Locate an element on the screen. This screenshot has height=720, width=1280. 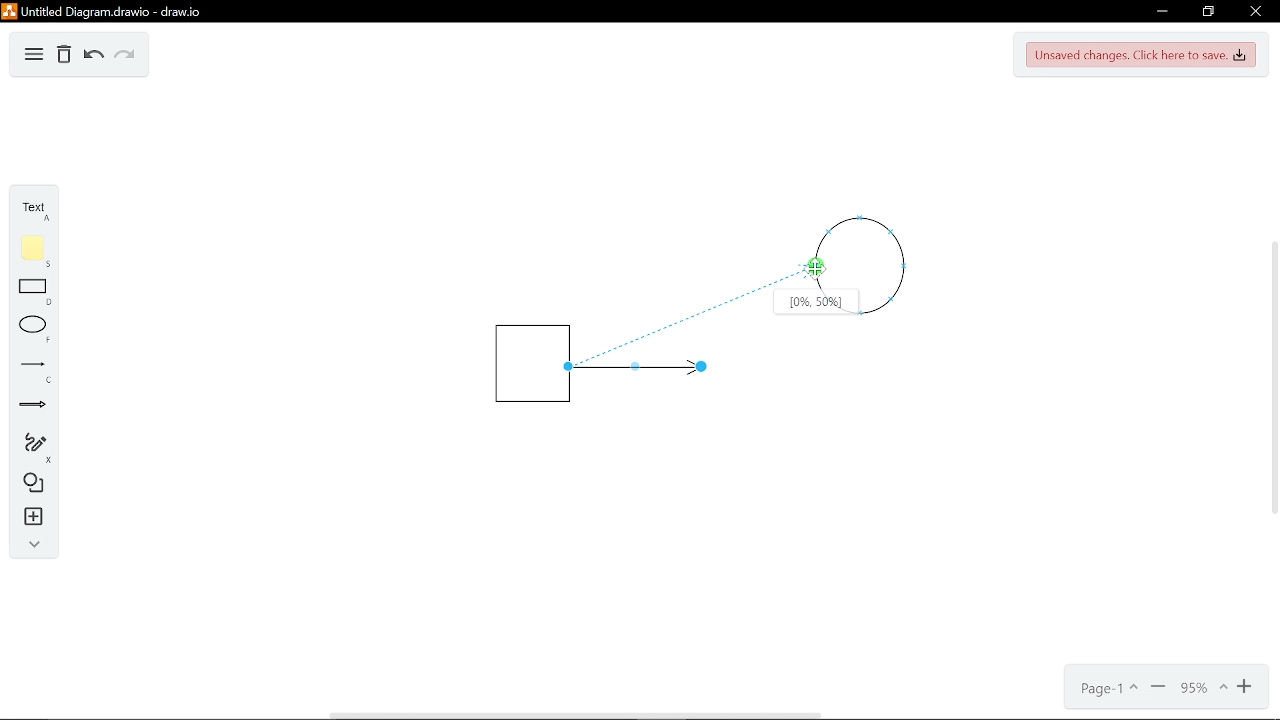
Untitled Diagramdrawio - draw.io is located at coordinates (104, 11).